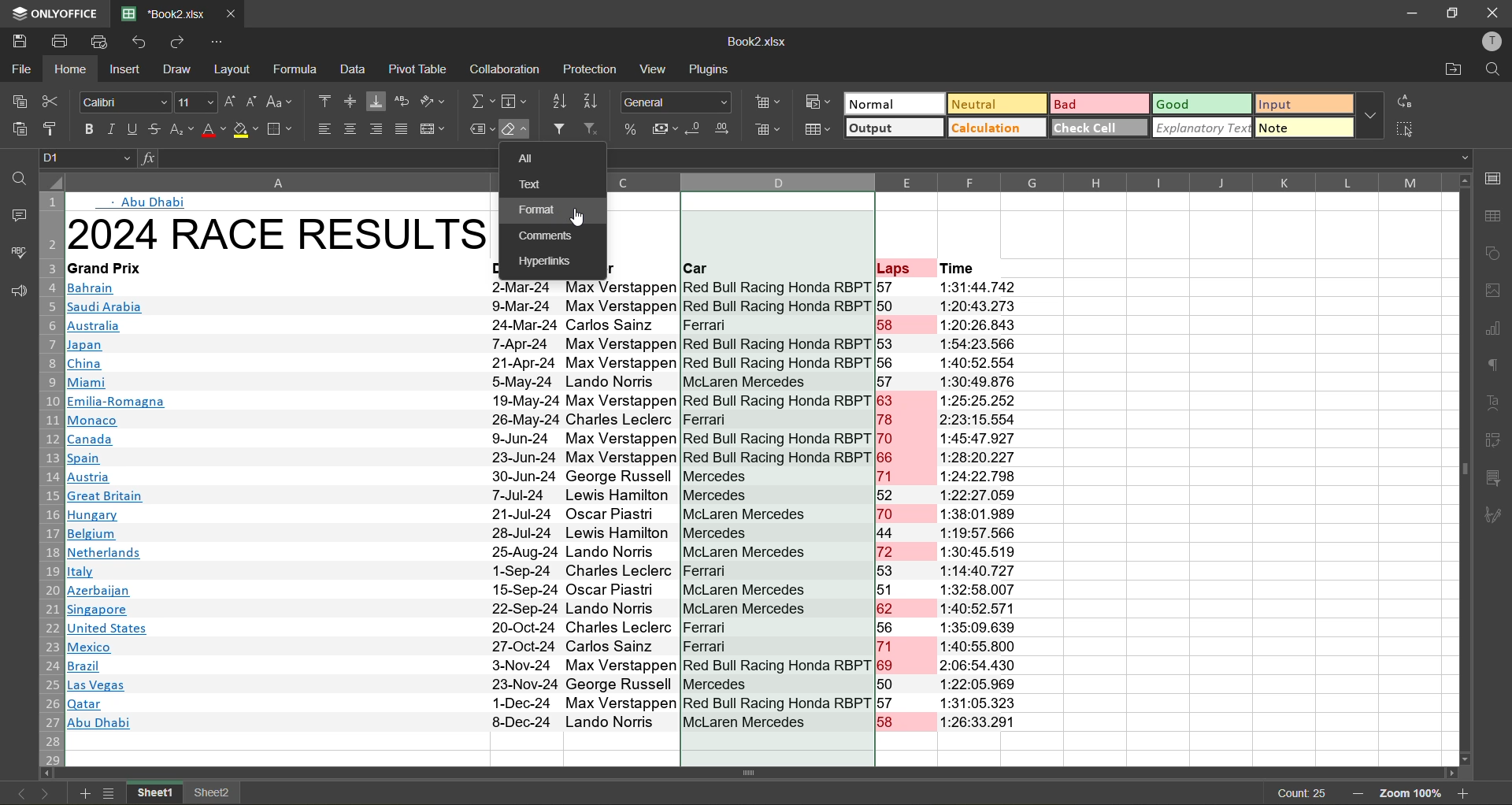 The image size is (1512, 805). I want to click on collaboration, so click(509, 71).